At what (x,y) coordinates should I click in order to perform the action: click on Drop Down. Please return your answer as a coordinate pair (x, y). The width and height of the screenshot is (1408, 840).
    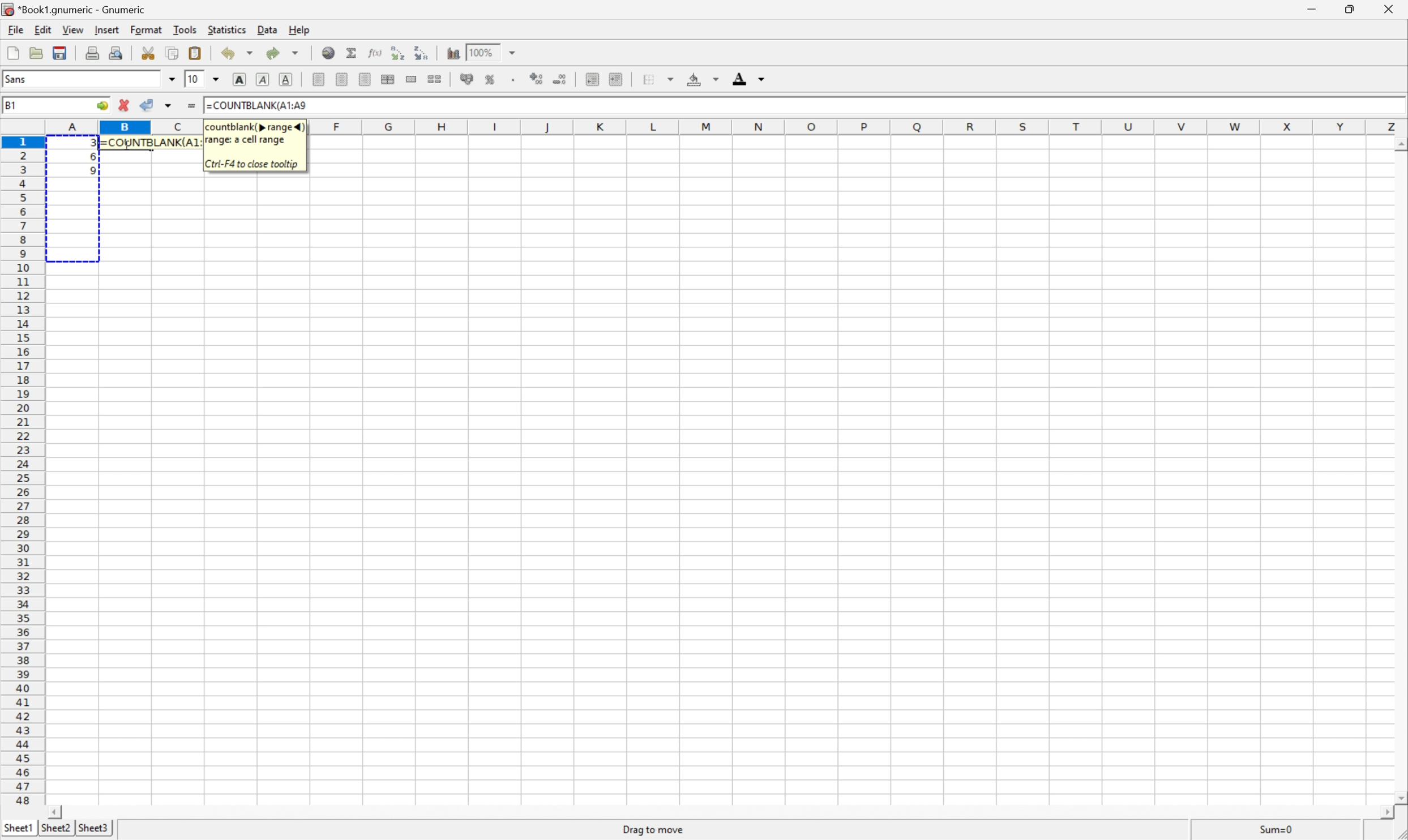
    Looking at the image, I should click on (515, 52).